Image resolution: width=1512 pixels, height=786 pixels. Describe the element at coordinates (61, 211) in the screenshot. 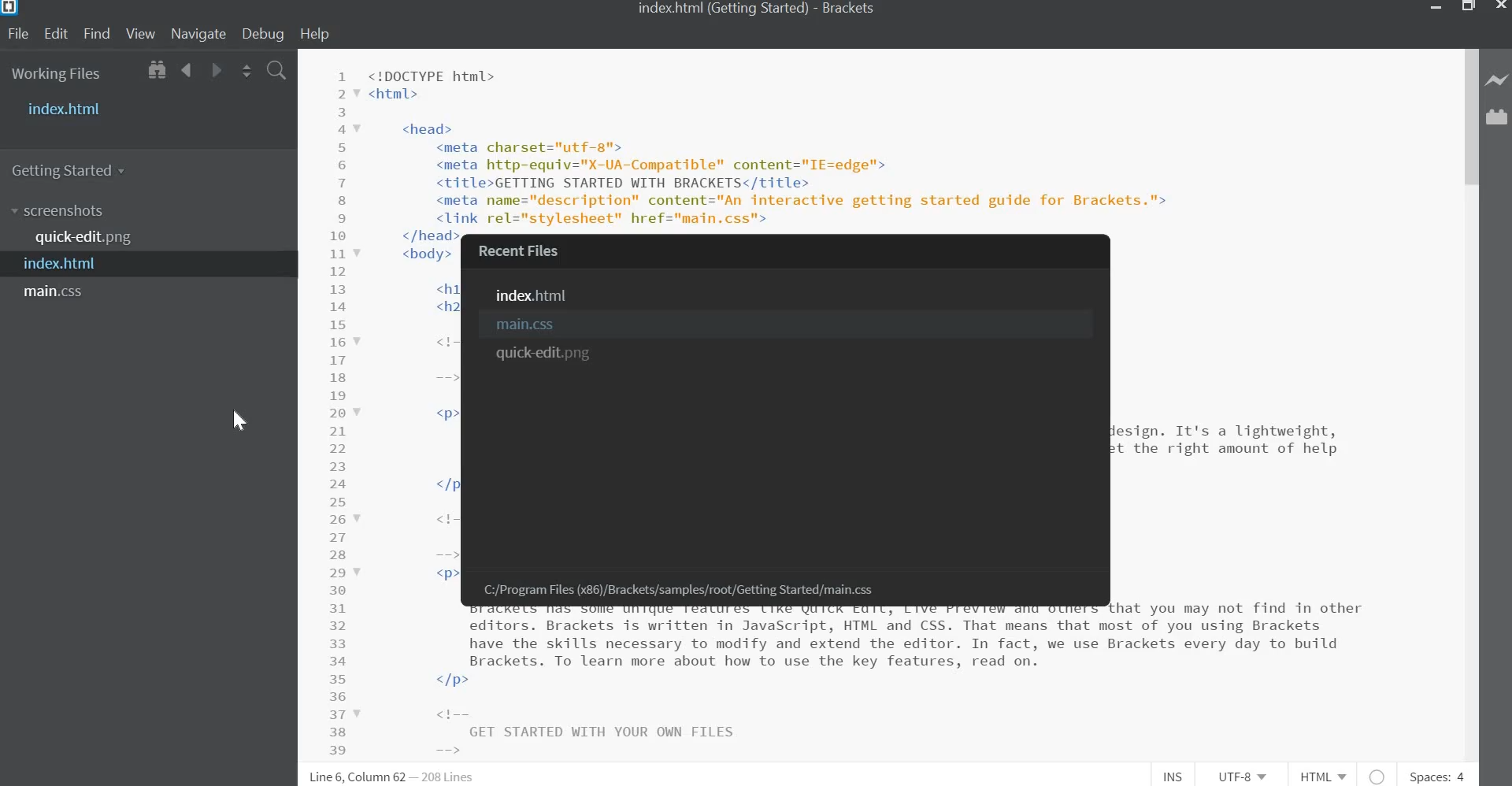

I see `Screenshots` at that location.